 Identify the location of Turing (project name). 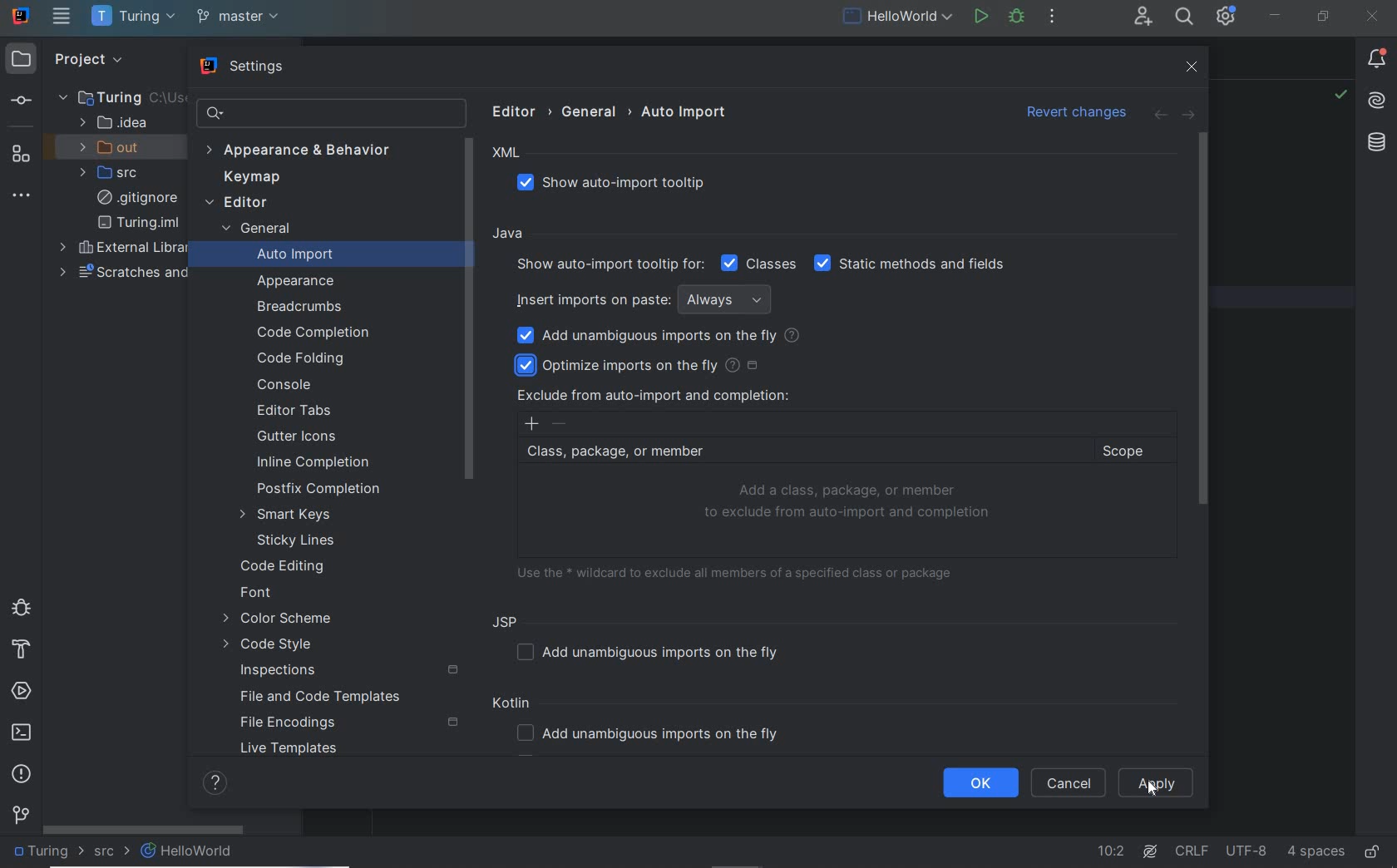
(48, 854).